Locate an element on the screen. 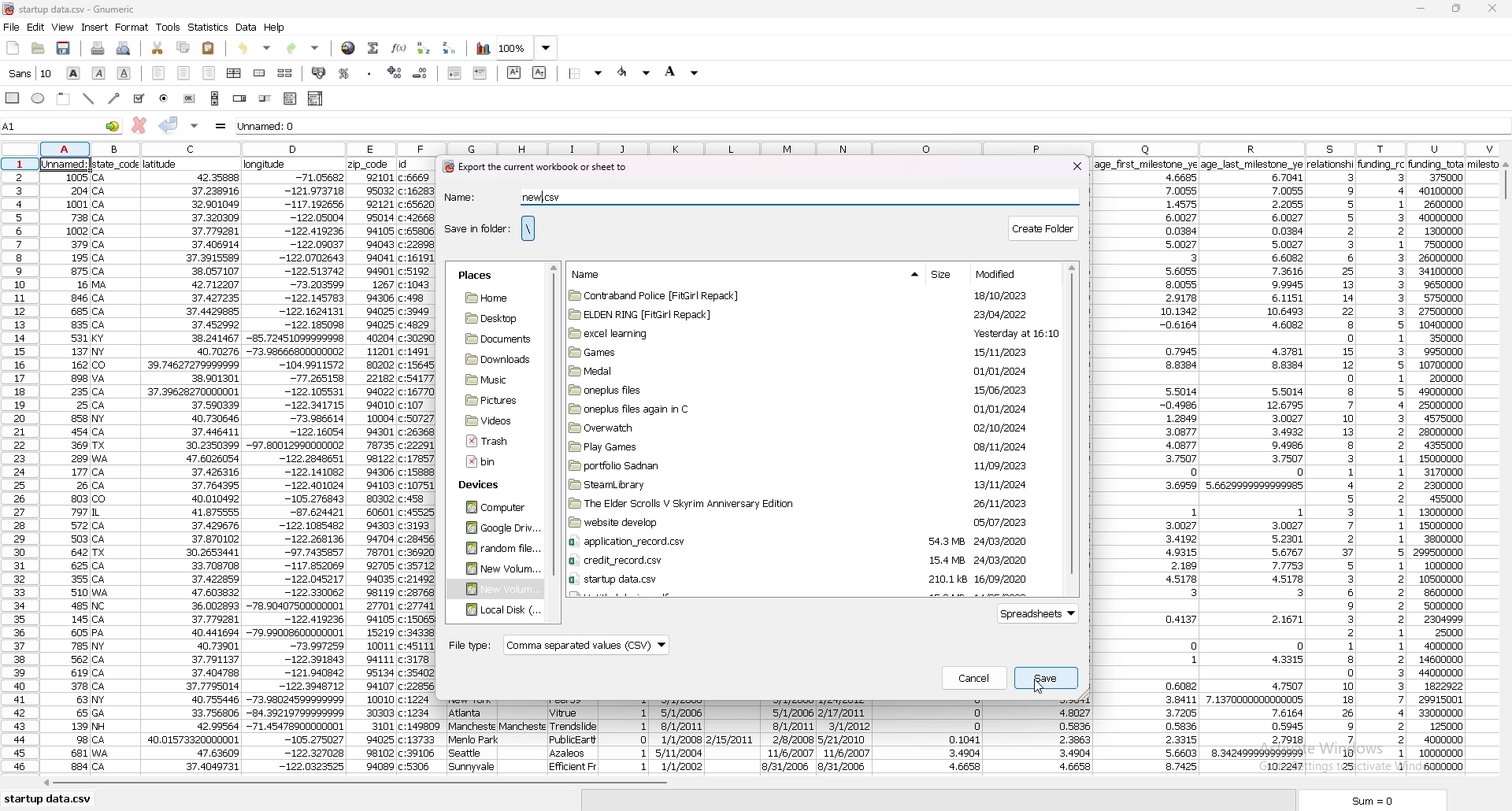 The width and height of the screenshot is (1512, 811). format is located at coordinates (133, 28).